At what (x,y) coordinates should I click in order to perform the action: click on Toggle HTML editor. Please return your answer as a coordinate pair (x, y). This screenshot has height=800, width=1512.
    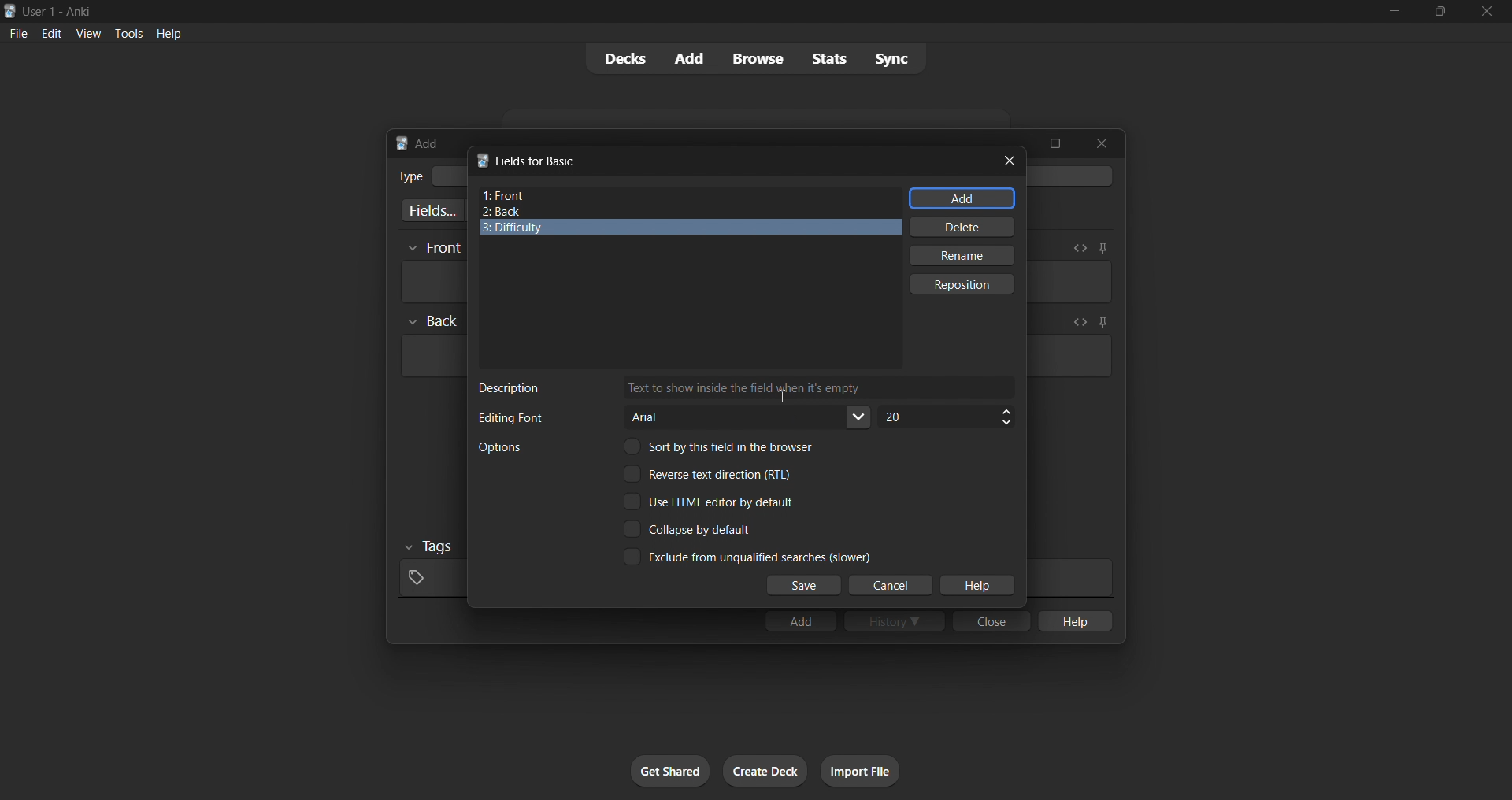
    Looking at the image, I should click on (1080, 248).